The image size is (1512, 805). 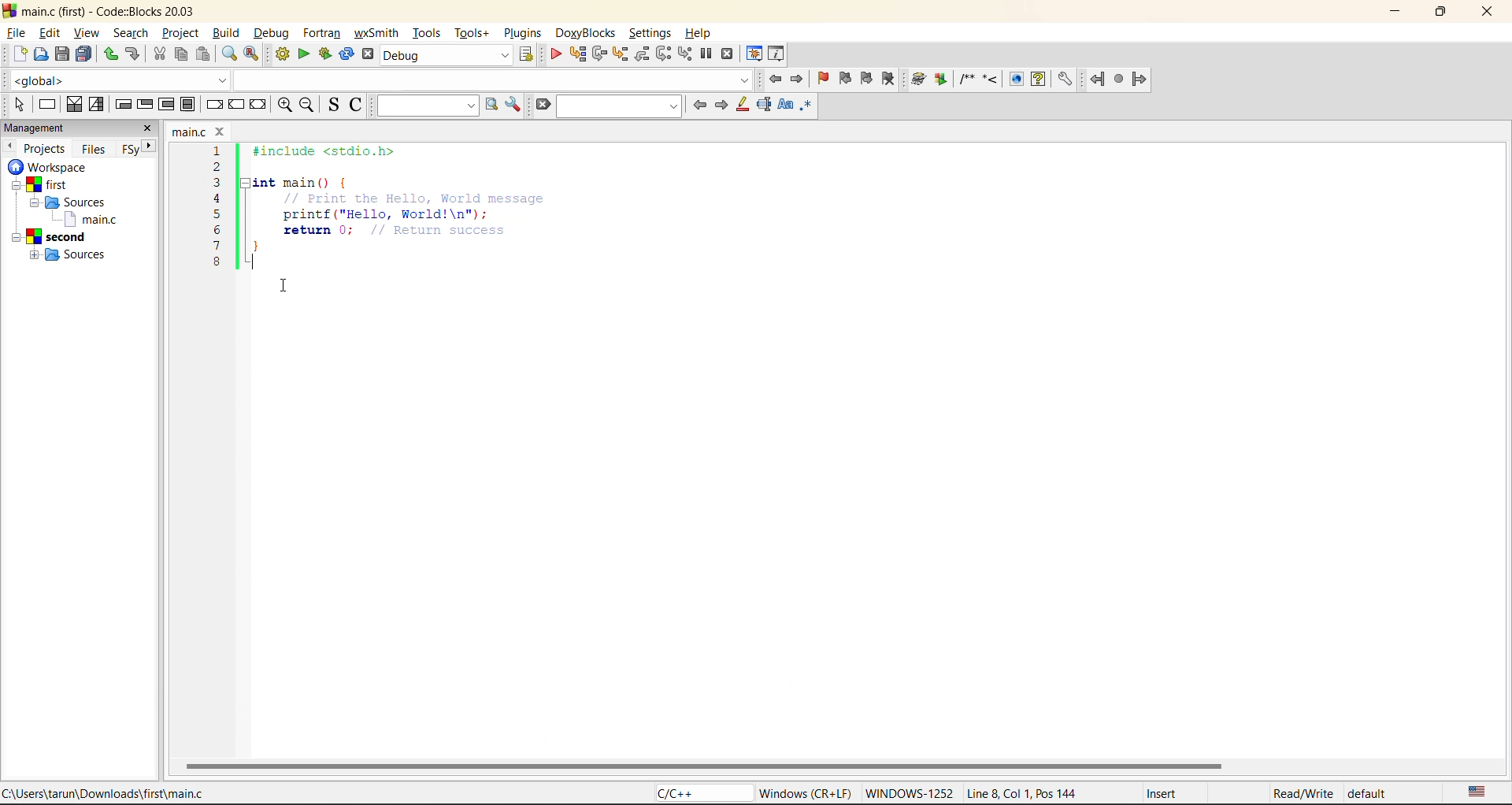 I want to click on rebuild, so click(x=348, y=55).